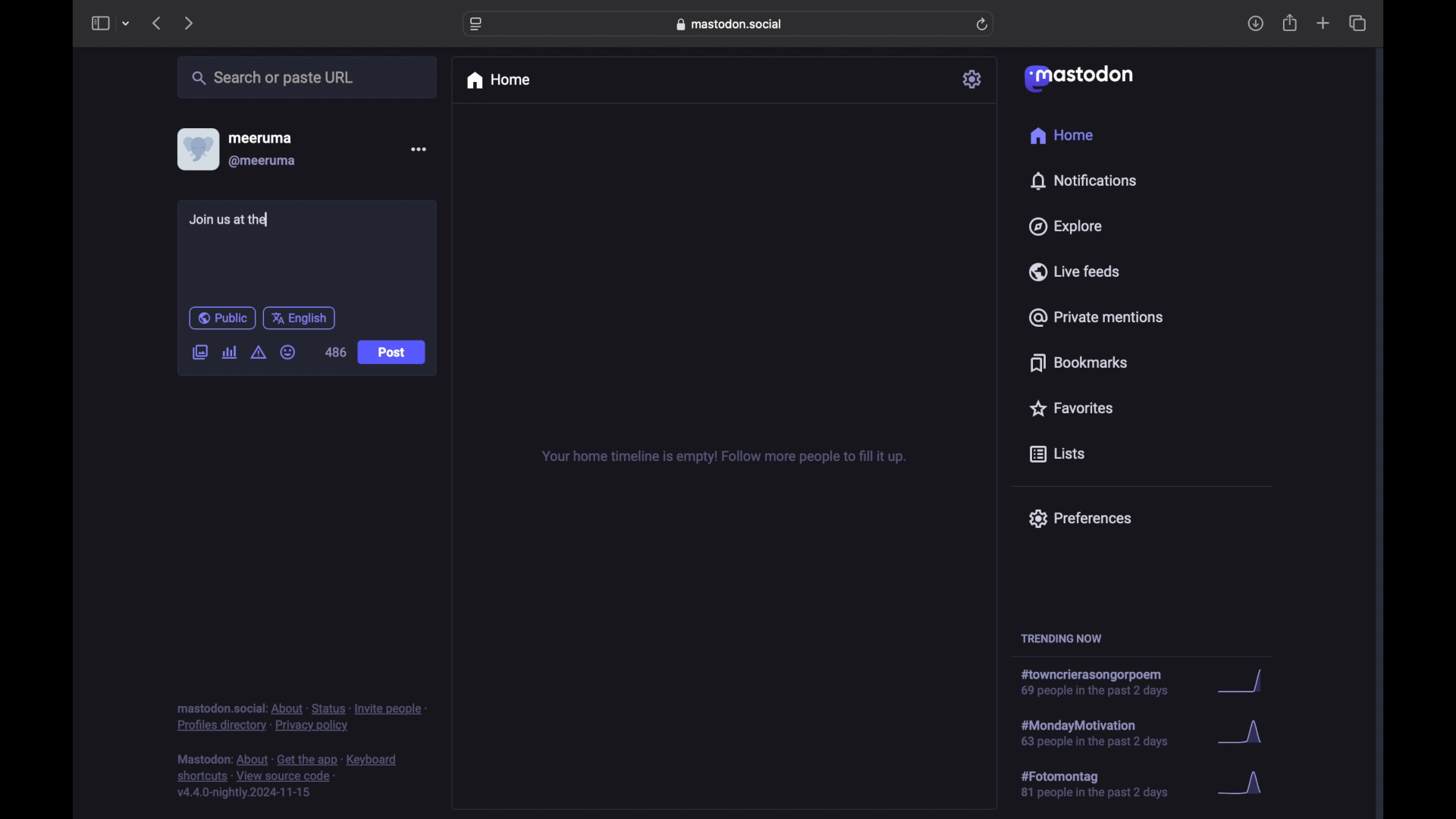  I want to click on footnote, so click(290, 777).